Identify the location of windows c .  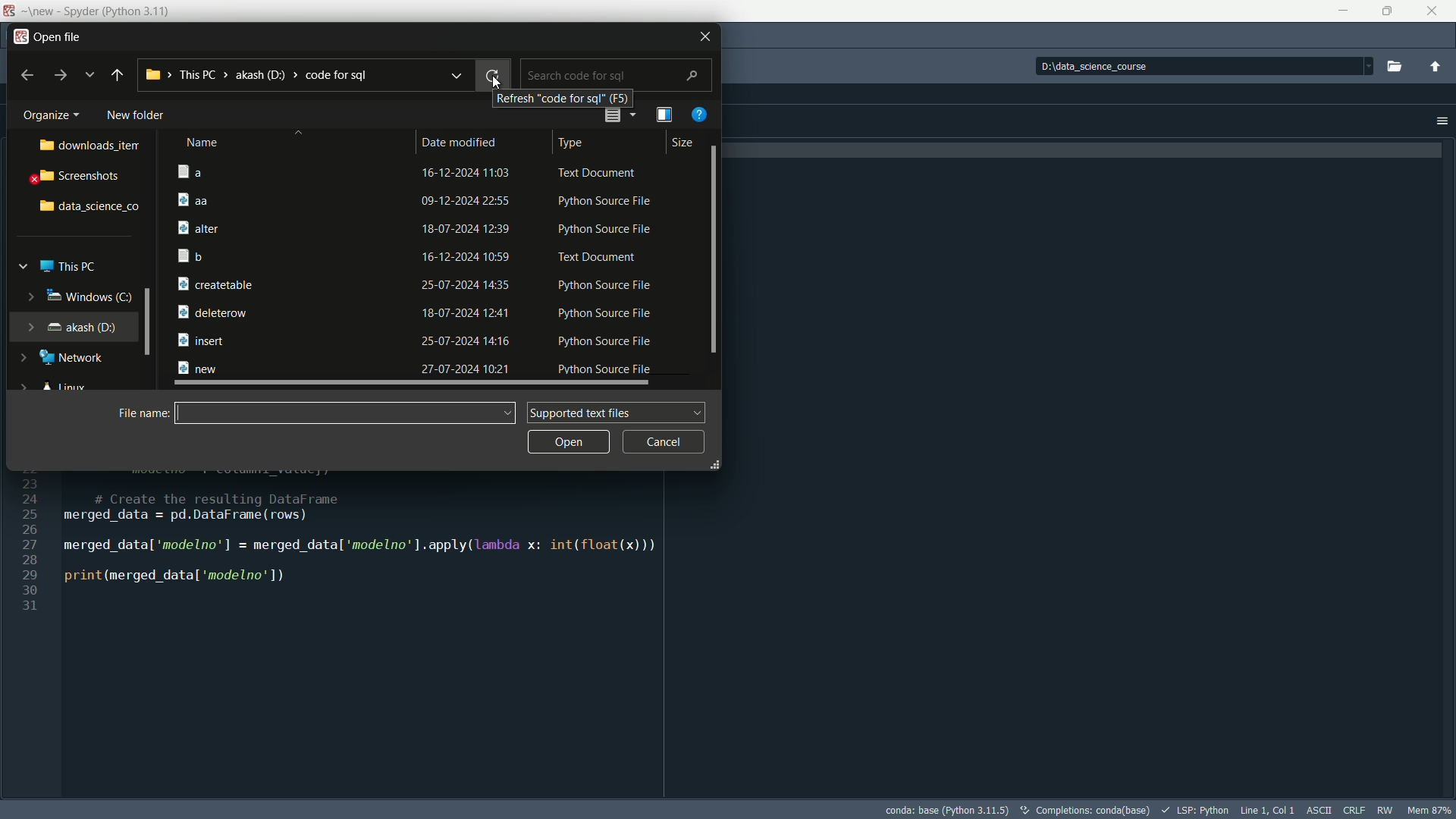
(85, 296).